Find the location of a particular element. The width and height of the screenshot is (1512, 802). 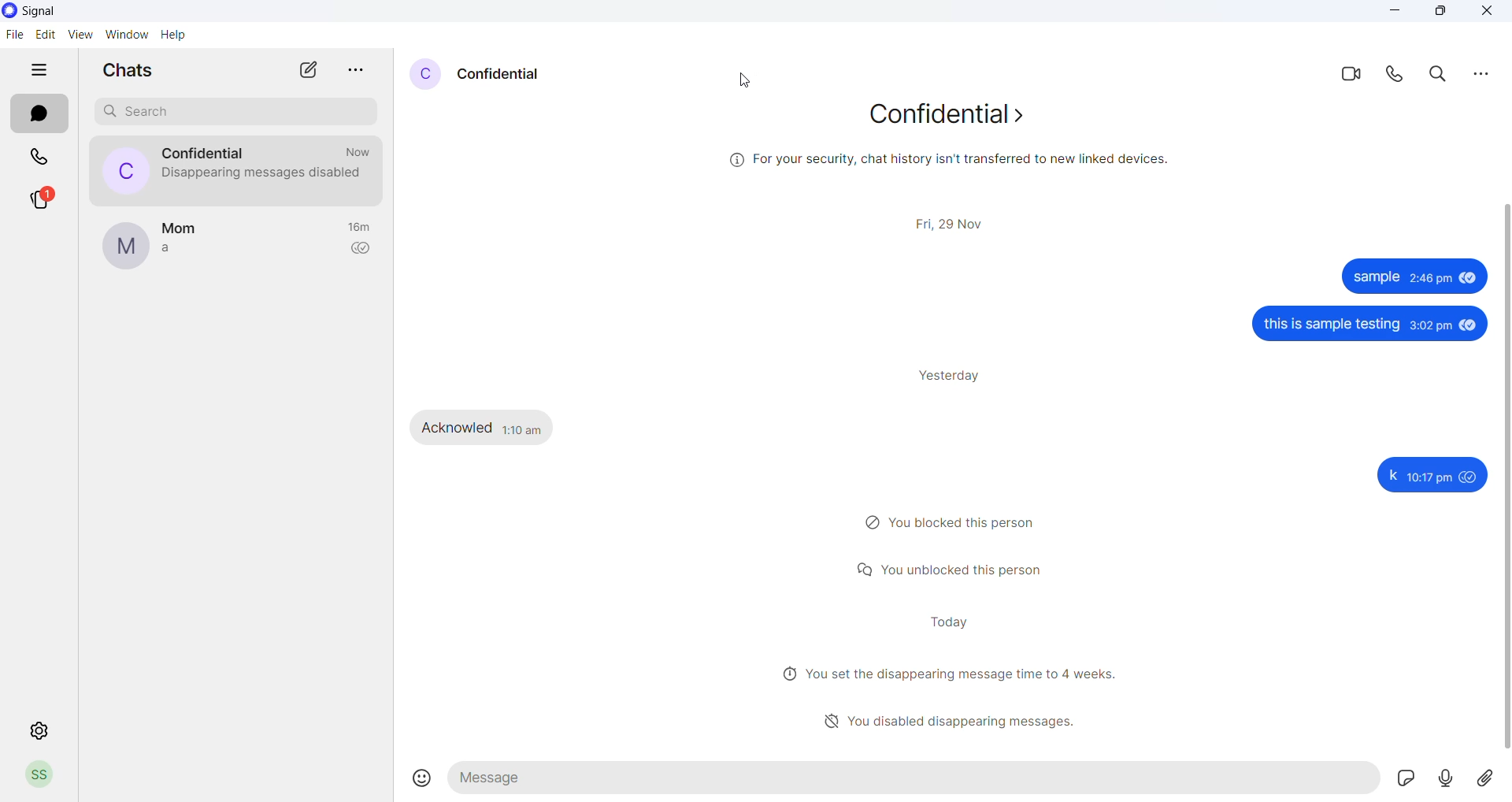

settings is located at coordinates (41, 732).